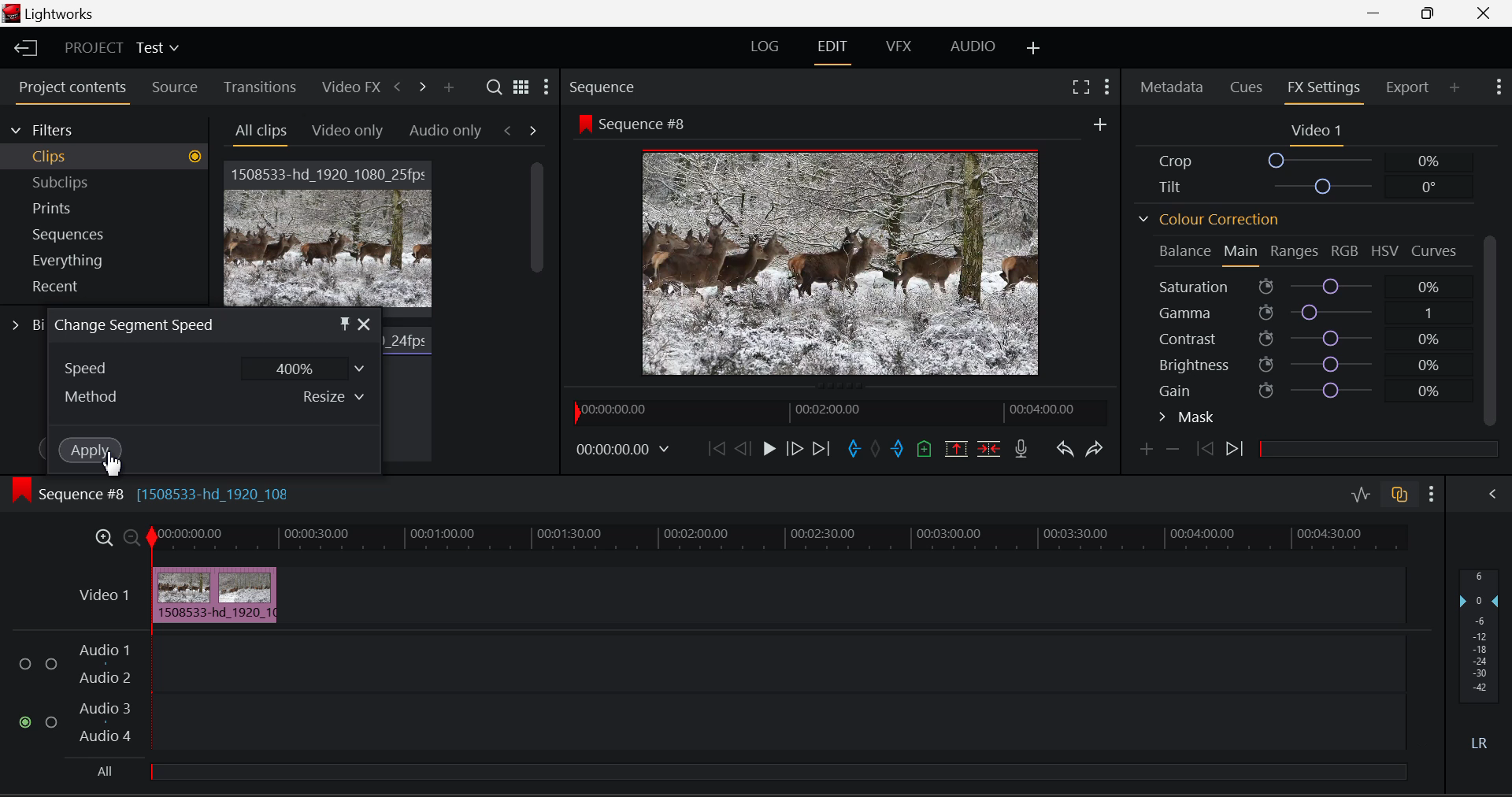 This screenshot has height=797, width=1512. I want to click on Auto Track Sync, so click(1399, 496).